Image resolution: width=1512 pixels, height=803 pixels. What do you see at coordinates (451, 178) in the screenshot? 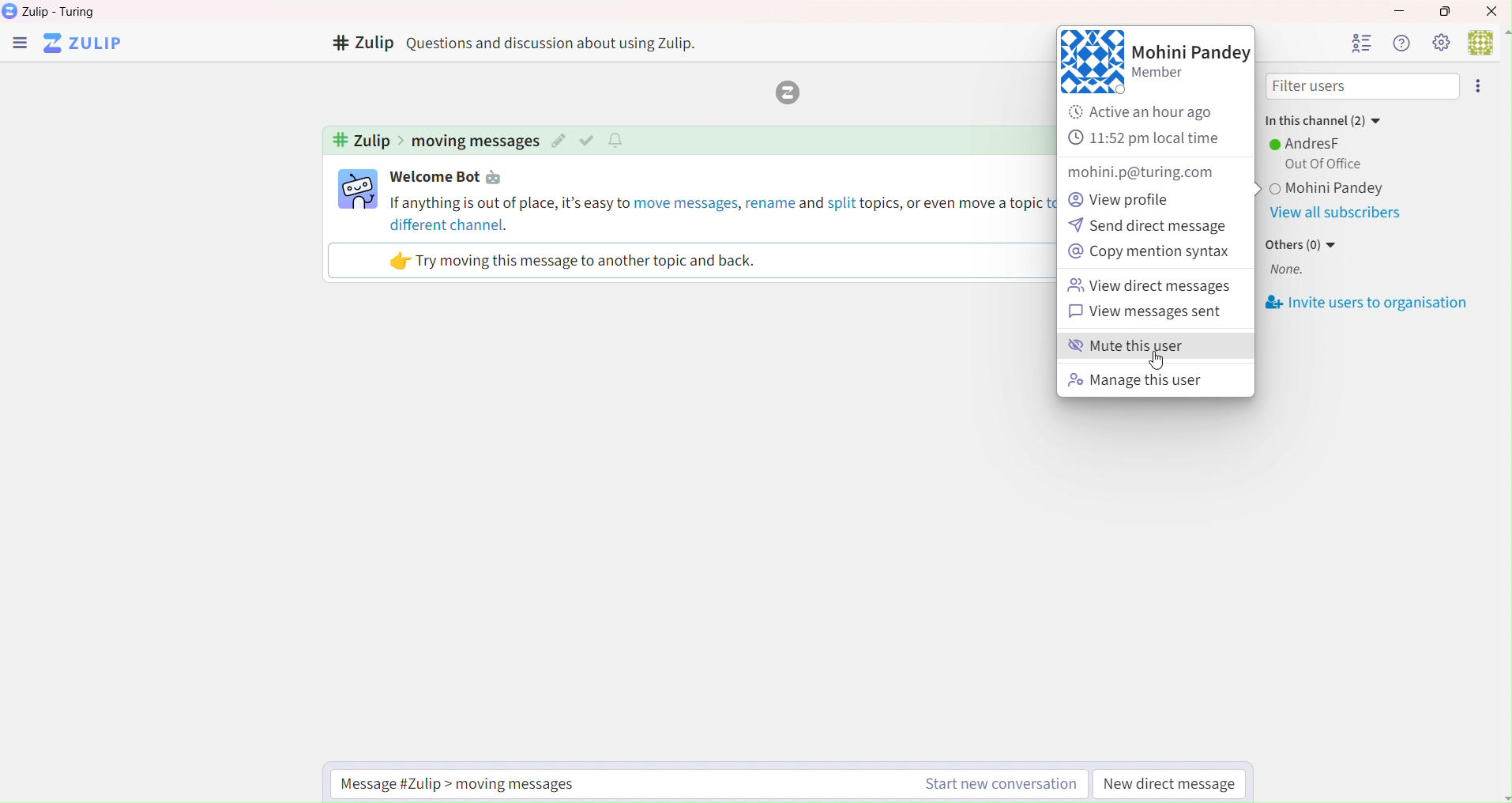
I see `Welcome Bot ` at bounding box center [451, 178].